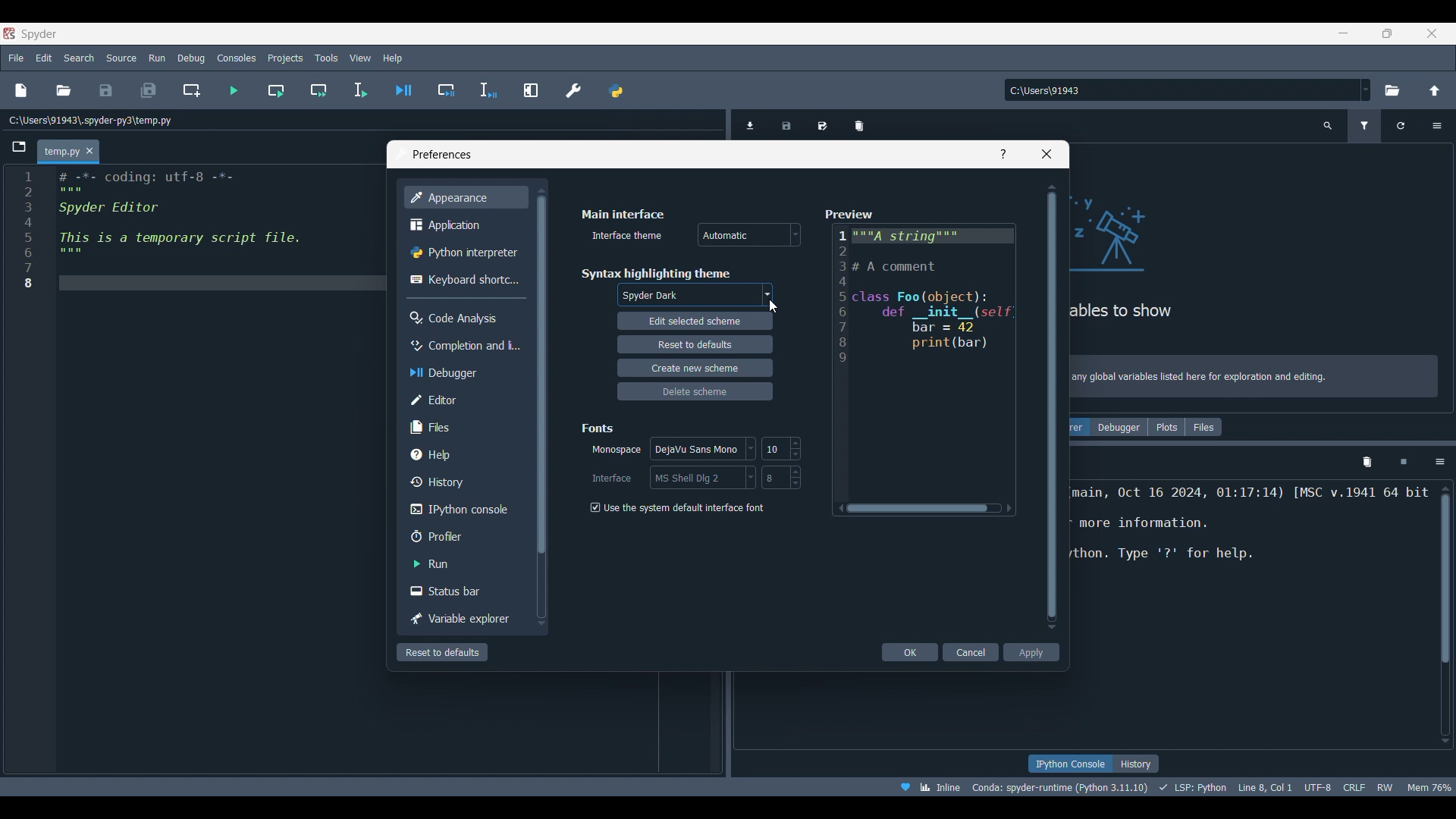  What do you see at coordinates (822, 121) in the screenshot?
I see `Save data as` at bounding box center [822, 121].